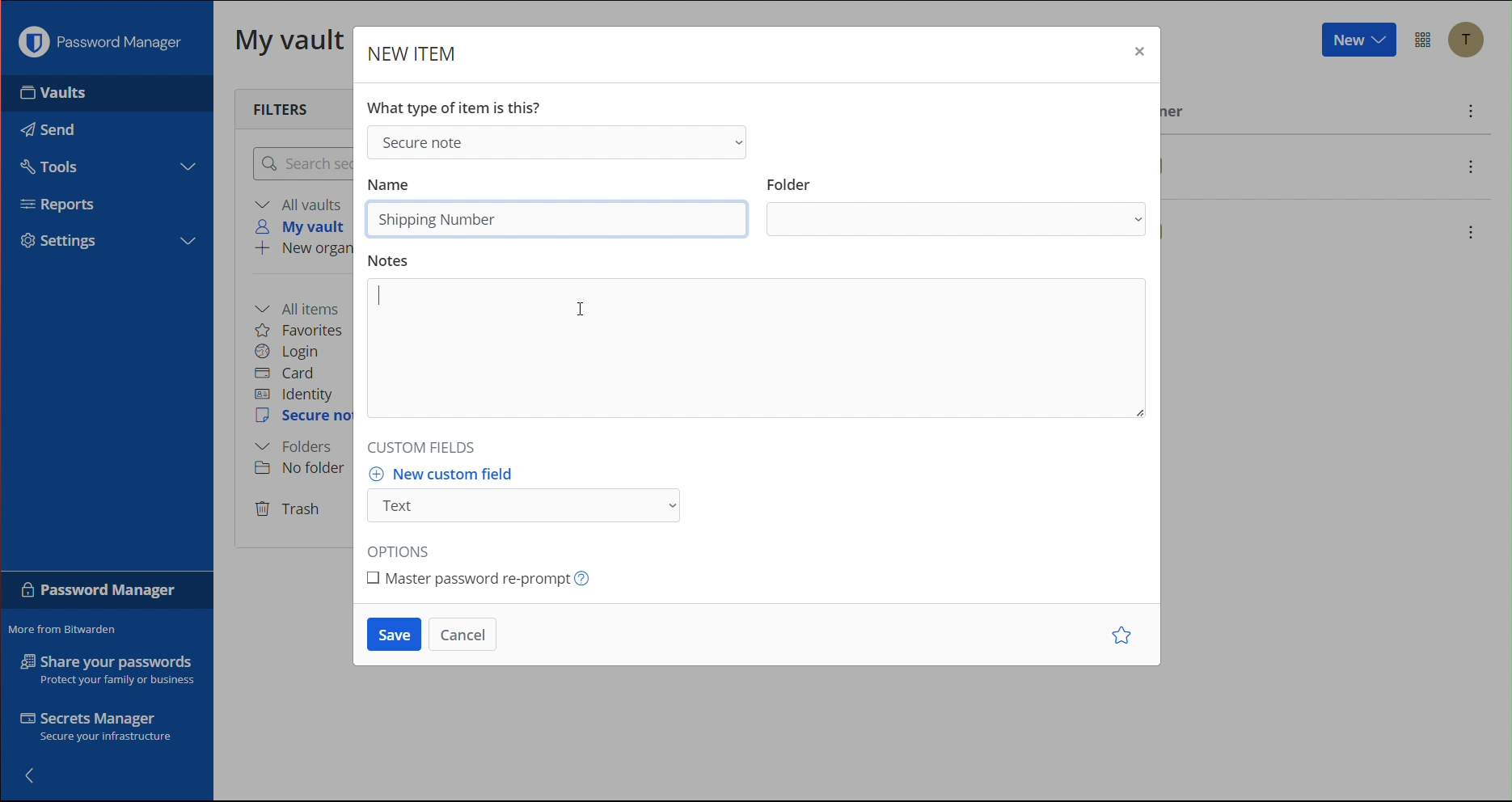  Describe the element at coordinates (70, 630) in the screenshot. I see `More from Bitwarden` at that location.